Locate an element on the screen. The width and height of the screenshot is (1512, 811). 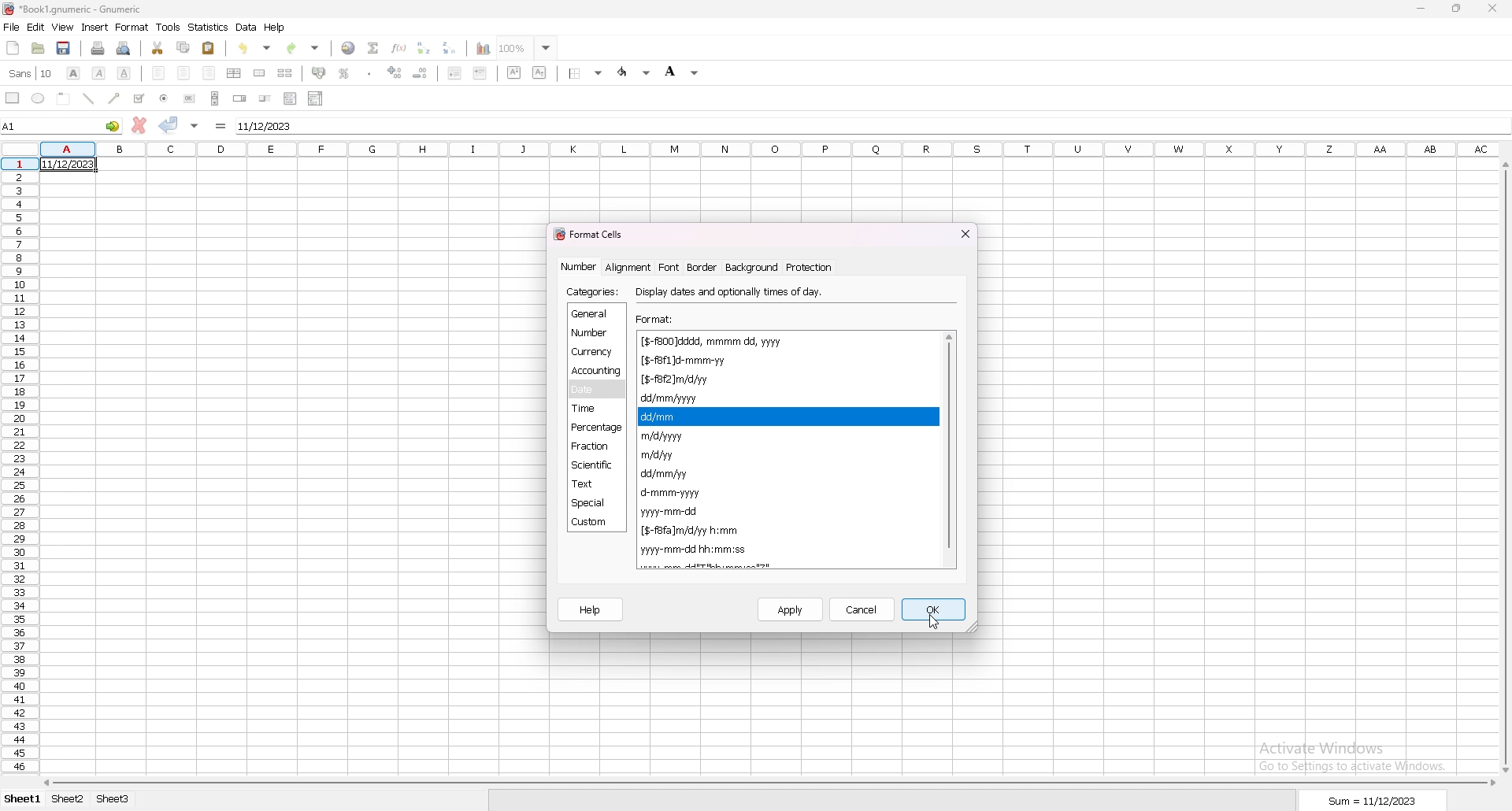
text is located at coordinates (596, 484).